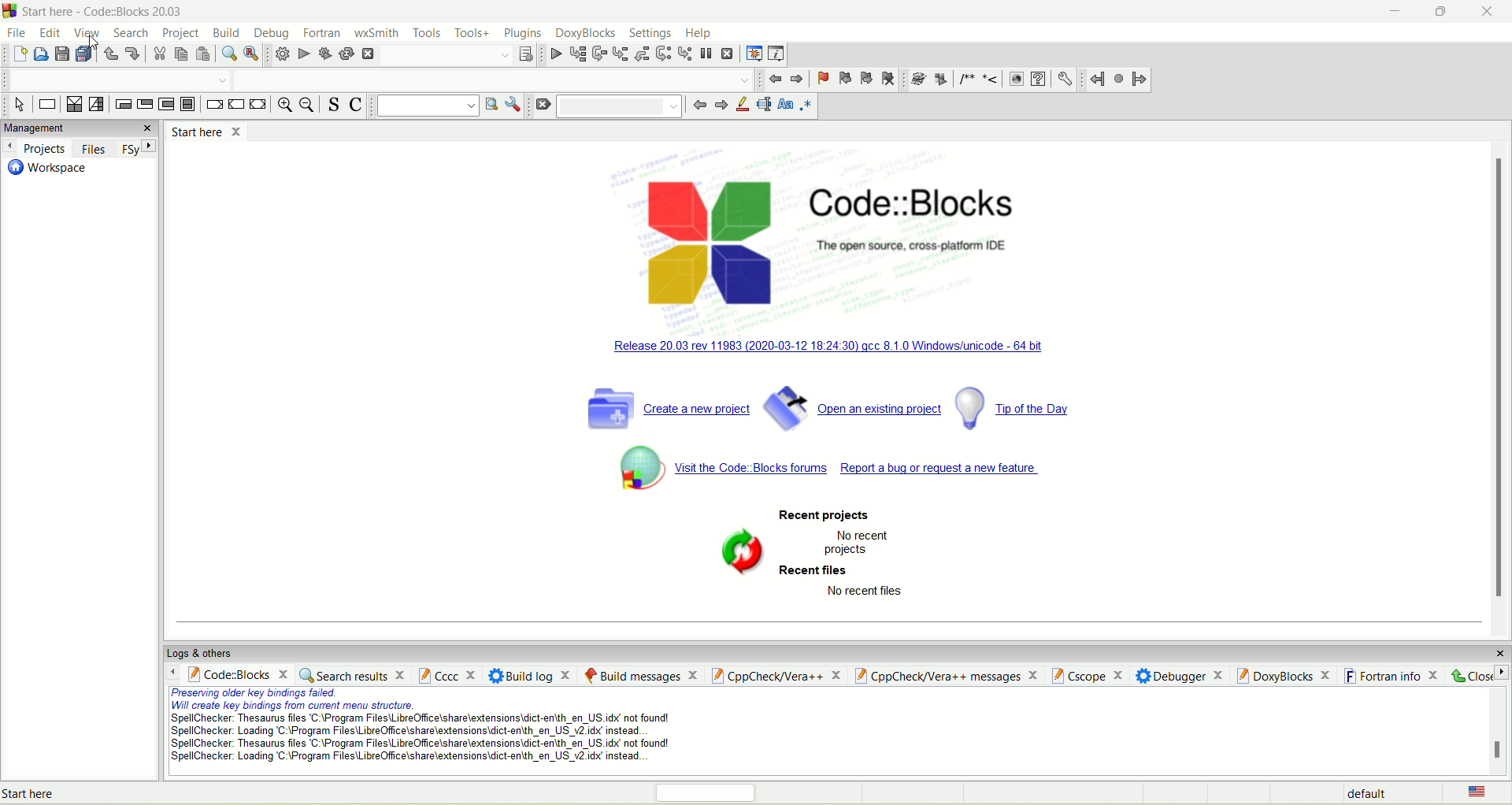 Image resolution: width=1512 pixels, height=805 pixels. I want to click on previous, so click(698, 108).